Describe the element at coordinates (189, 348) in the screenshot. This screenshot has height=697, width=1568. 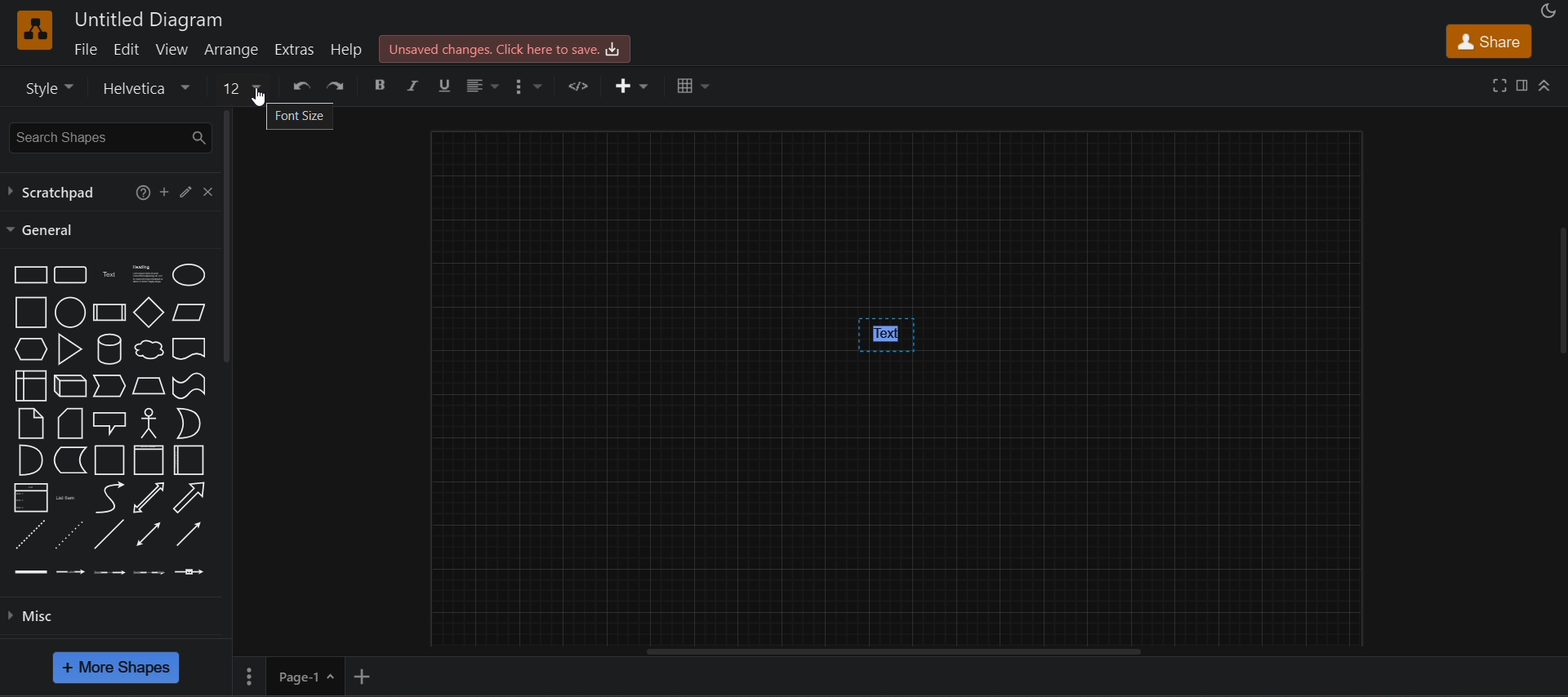
I see `Document` at that location.